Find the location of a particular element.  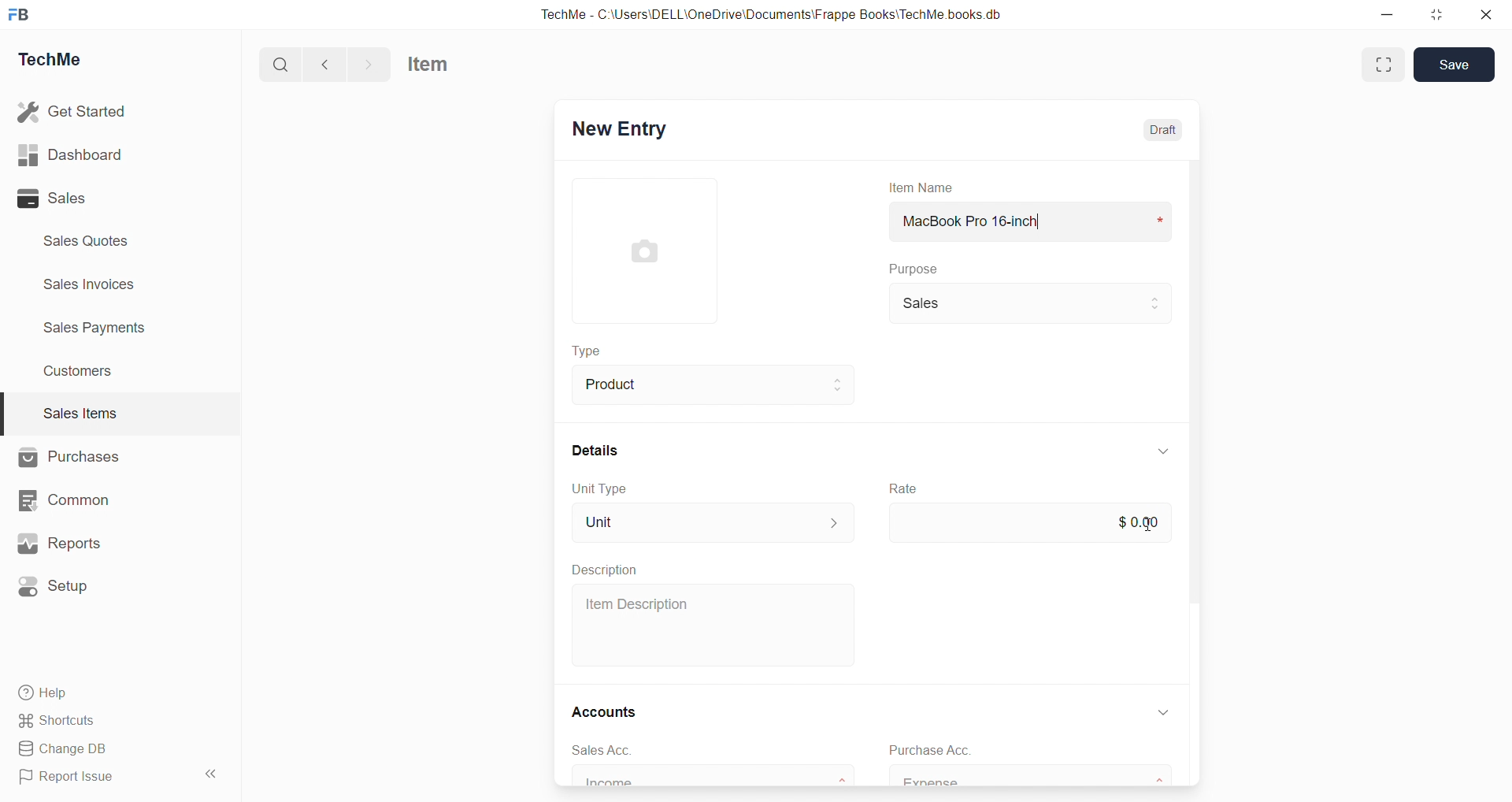

Item Name is located at coordinates (919, 188).